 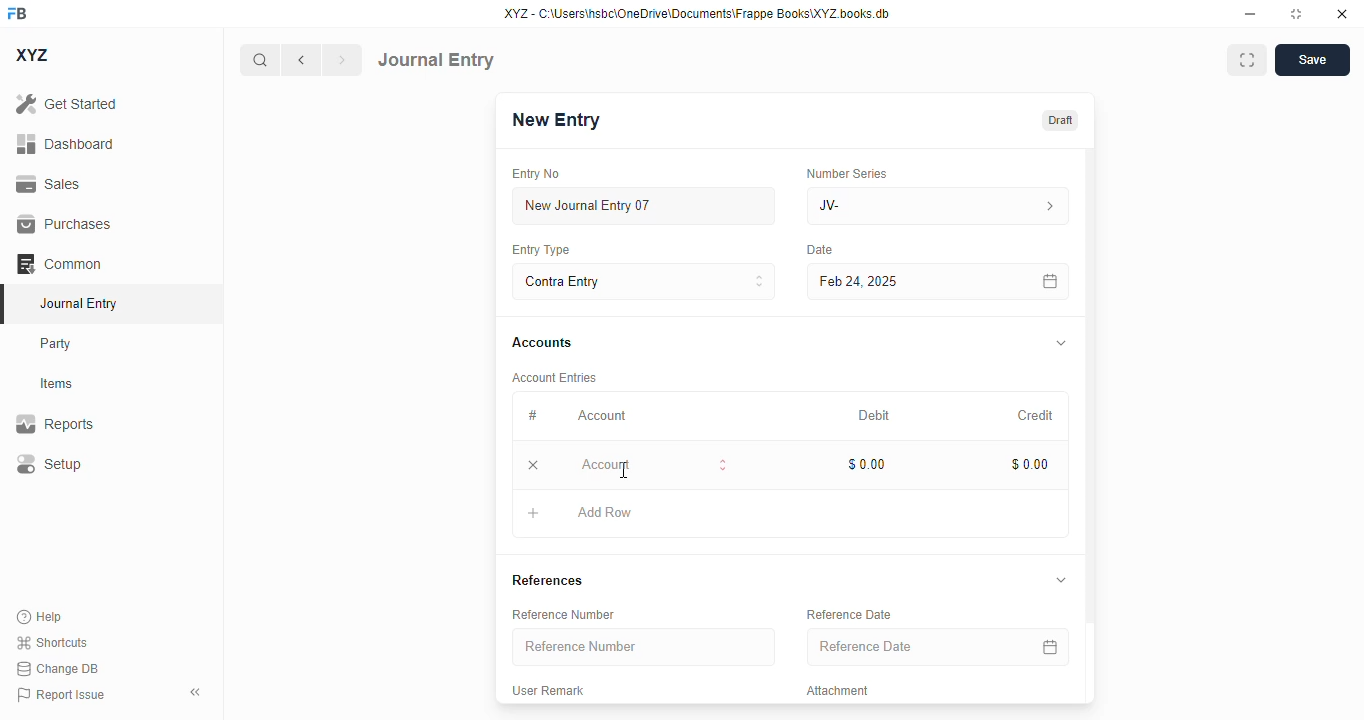 I want to click on close, so click(x=1342, y=14).